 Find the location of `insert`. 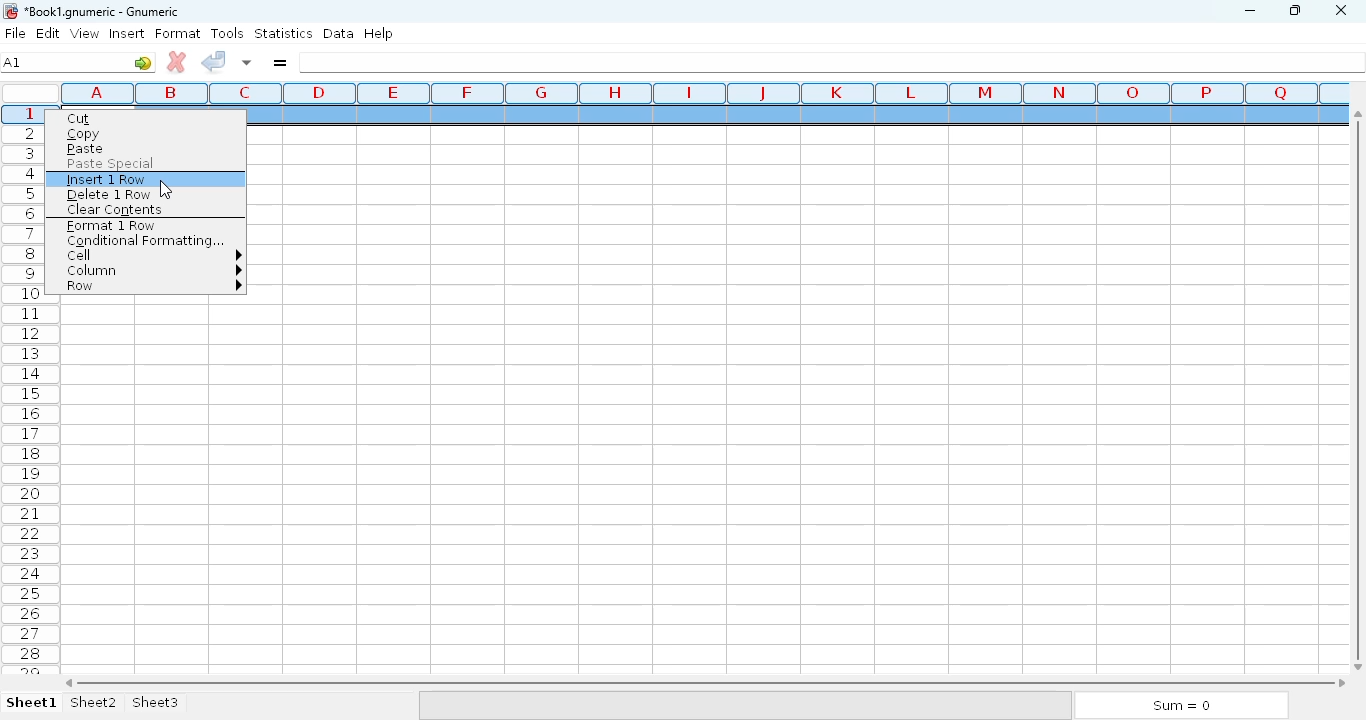

insert is located at coordinates (127, 33).